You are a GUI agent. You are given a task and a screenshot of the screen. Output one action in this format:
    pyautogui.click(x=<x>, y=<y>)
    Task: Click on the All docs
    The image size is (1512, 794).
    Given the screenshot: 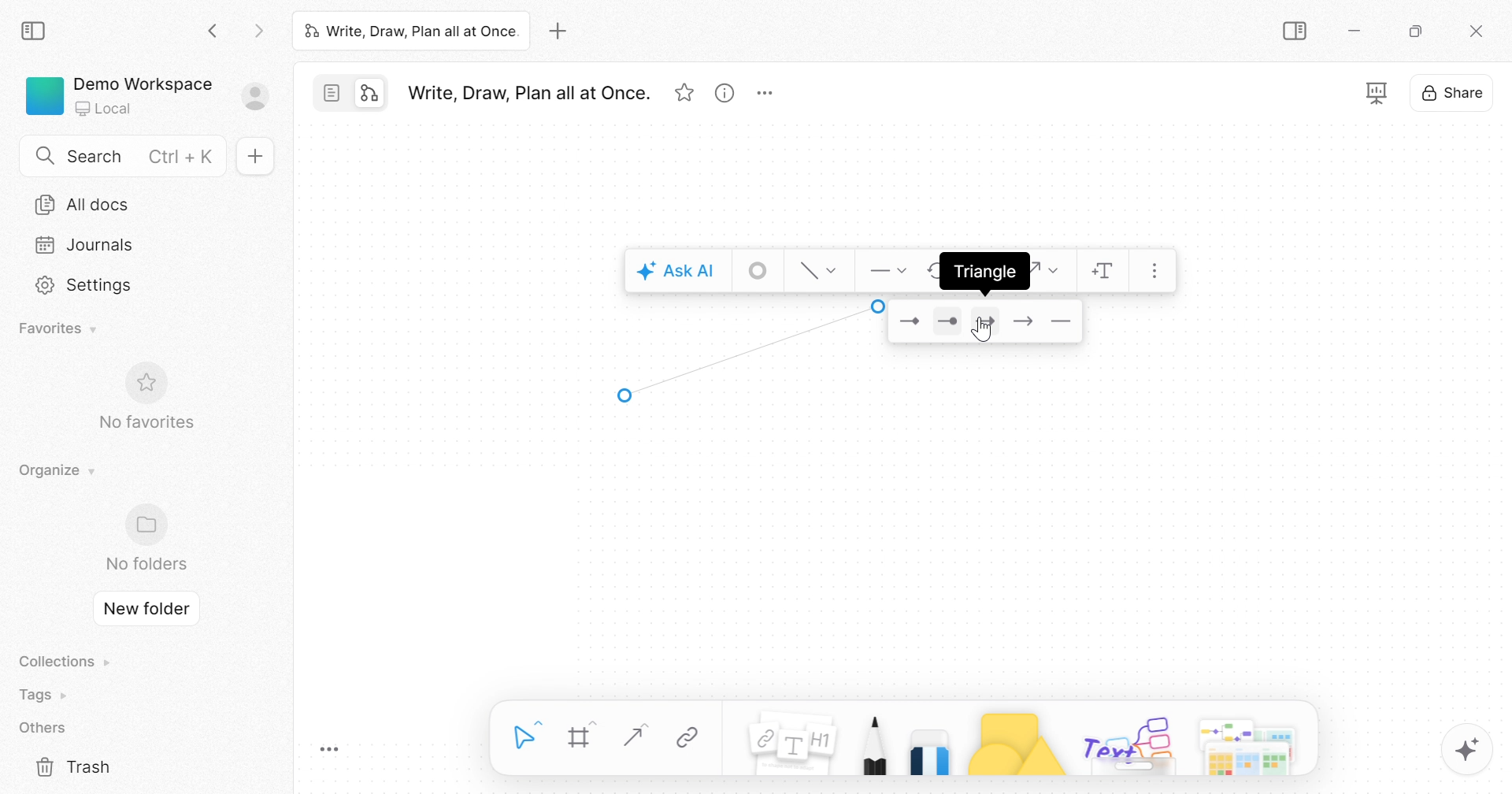 What is the action you would take?
    pyautogui.click(x=88, y=203)
    